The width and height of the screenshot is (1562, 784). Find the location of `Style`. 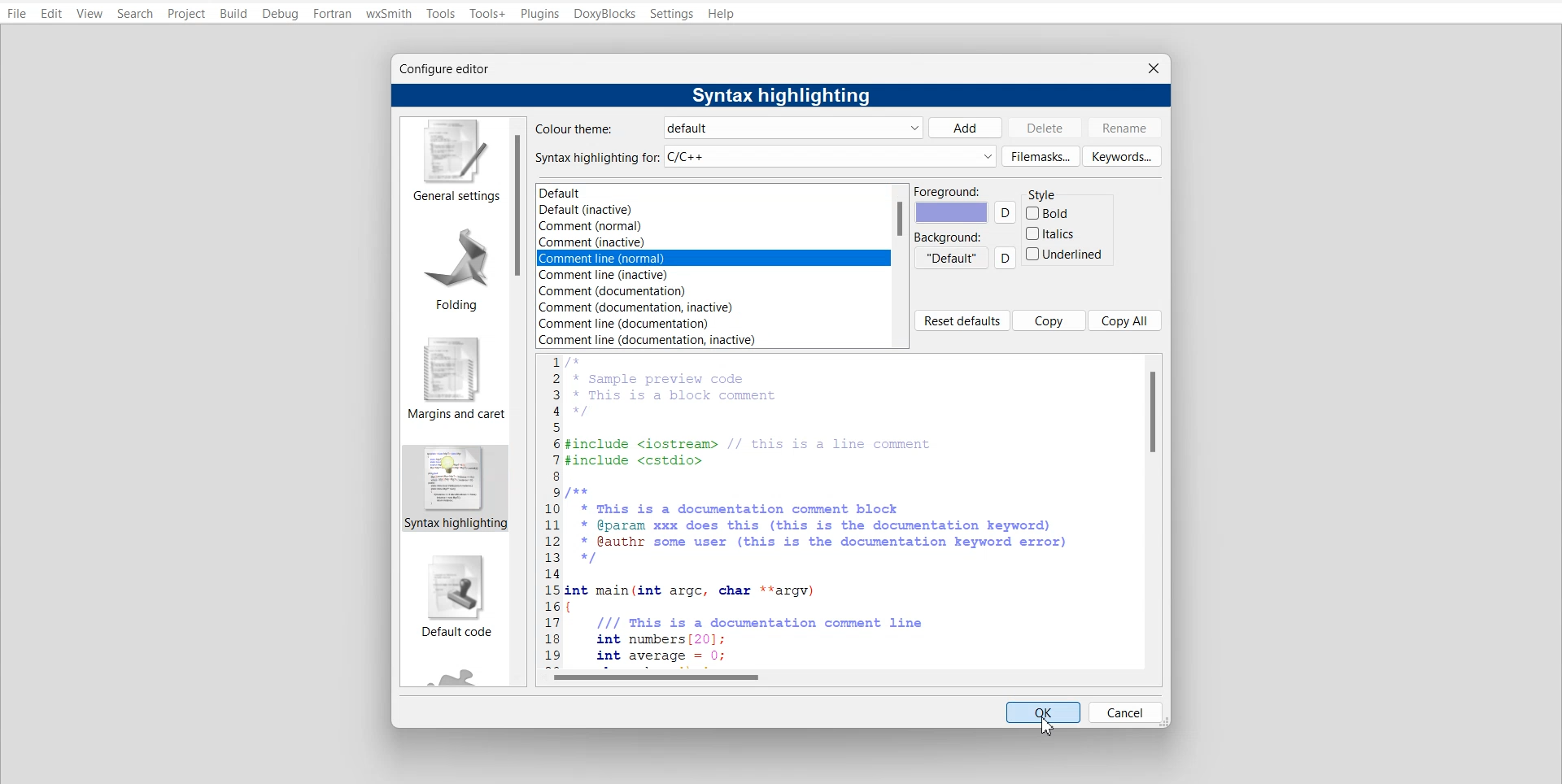

Style is located at coordinates (1042, 195).